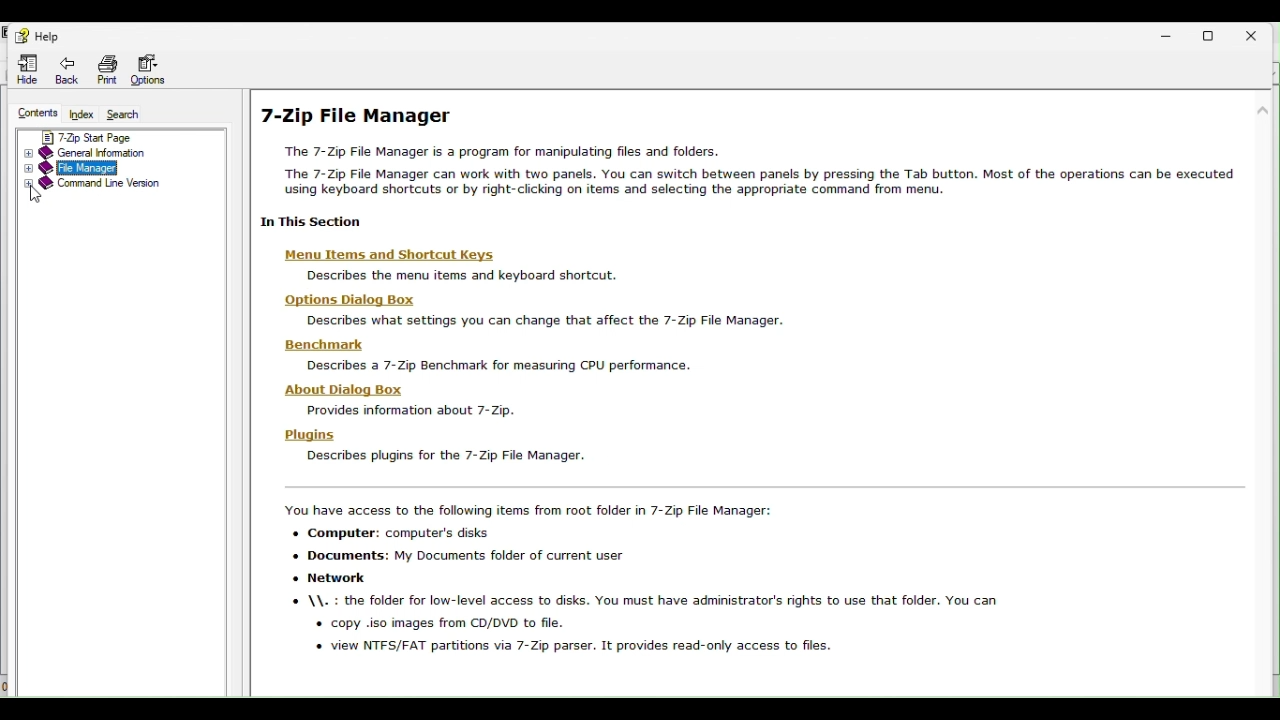 The height and width of the screenshot is (720, 1280). What do you see at coordinates (22, 70) in the screenshot?
I see `Hide` at bounding box center [22, 70].